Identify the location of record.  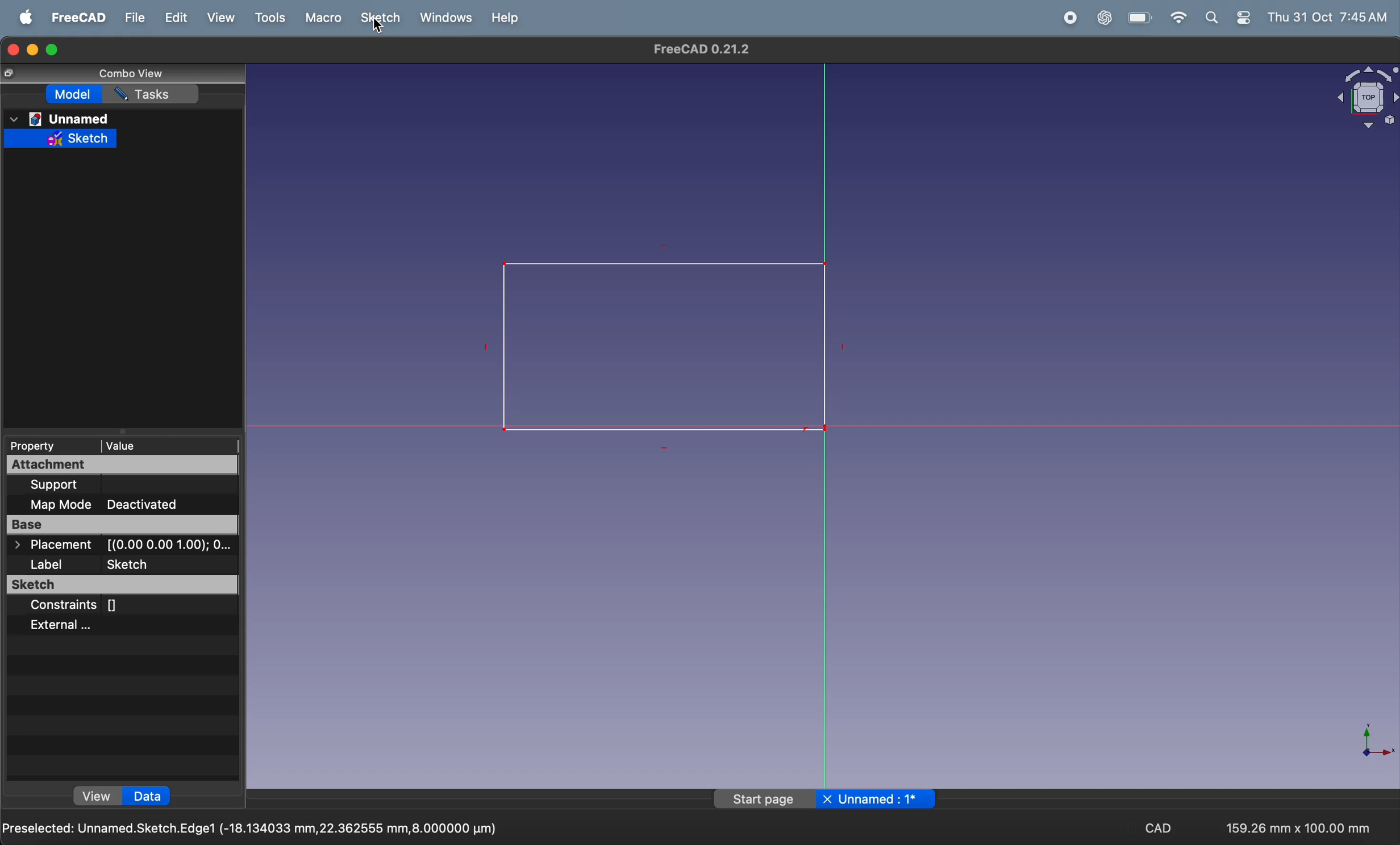
(1065, 18).